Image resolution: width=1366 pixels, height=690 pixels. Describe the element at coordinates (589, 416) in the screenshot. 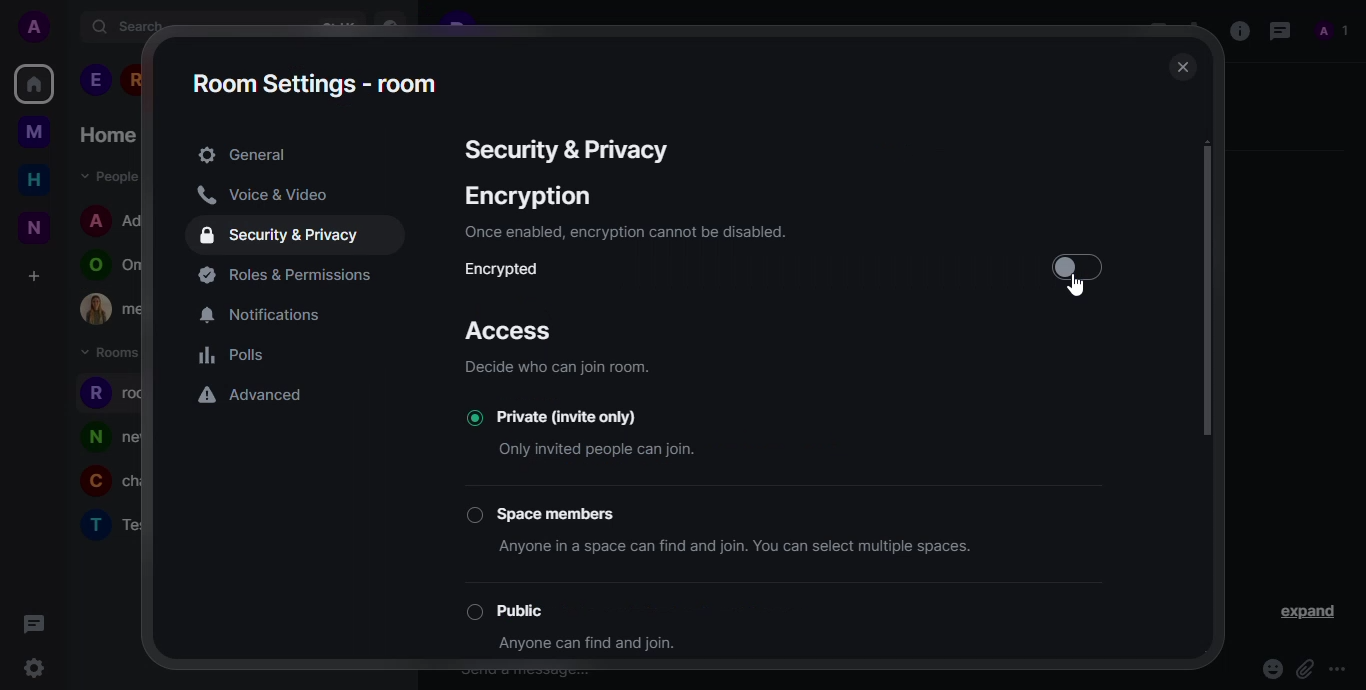

I see `private` at that location.